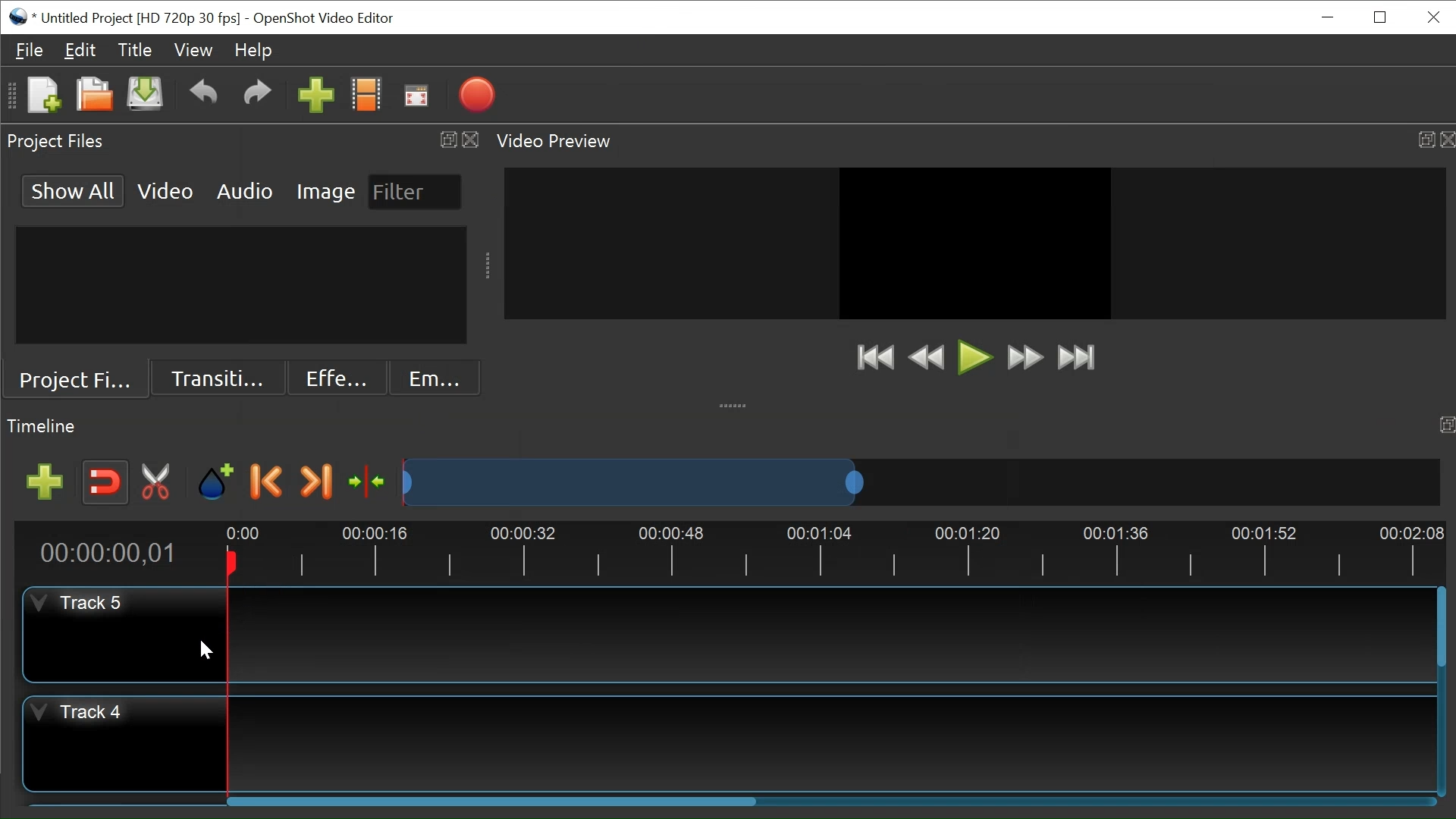 This screenshot has width=1456, height=819. What do you see at coordinates (75, 381) in the screenshot?
I see `Project Files` at bounding box center [75, 381].